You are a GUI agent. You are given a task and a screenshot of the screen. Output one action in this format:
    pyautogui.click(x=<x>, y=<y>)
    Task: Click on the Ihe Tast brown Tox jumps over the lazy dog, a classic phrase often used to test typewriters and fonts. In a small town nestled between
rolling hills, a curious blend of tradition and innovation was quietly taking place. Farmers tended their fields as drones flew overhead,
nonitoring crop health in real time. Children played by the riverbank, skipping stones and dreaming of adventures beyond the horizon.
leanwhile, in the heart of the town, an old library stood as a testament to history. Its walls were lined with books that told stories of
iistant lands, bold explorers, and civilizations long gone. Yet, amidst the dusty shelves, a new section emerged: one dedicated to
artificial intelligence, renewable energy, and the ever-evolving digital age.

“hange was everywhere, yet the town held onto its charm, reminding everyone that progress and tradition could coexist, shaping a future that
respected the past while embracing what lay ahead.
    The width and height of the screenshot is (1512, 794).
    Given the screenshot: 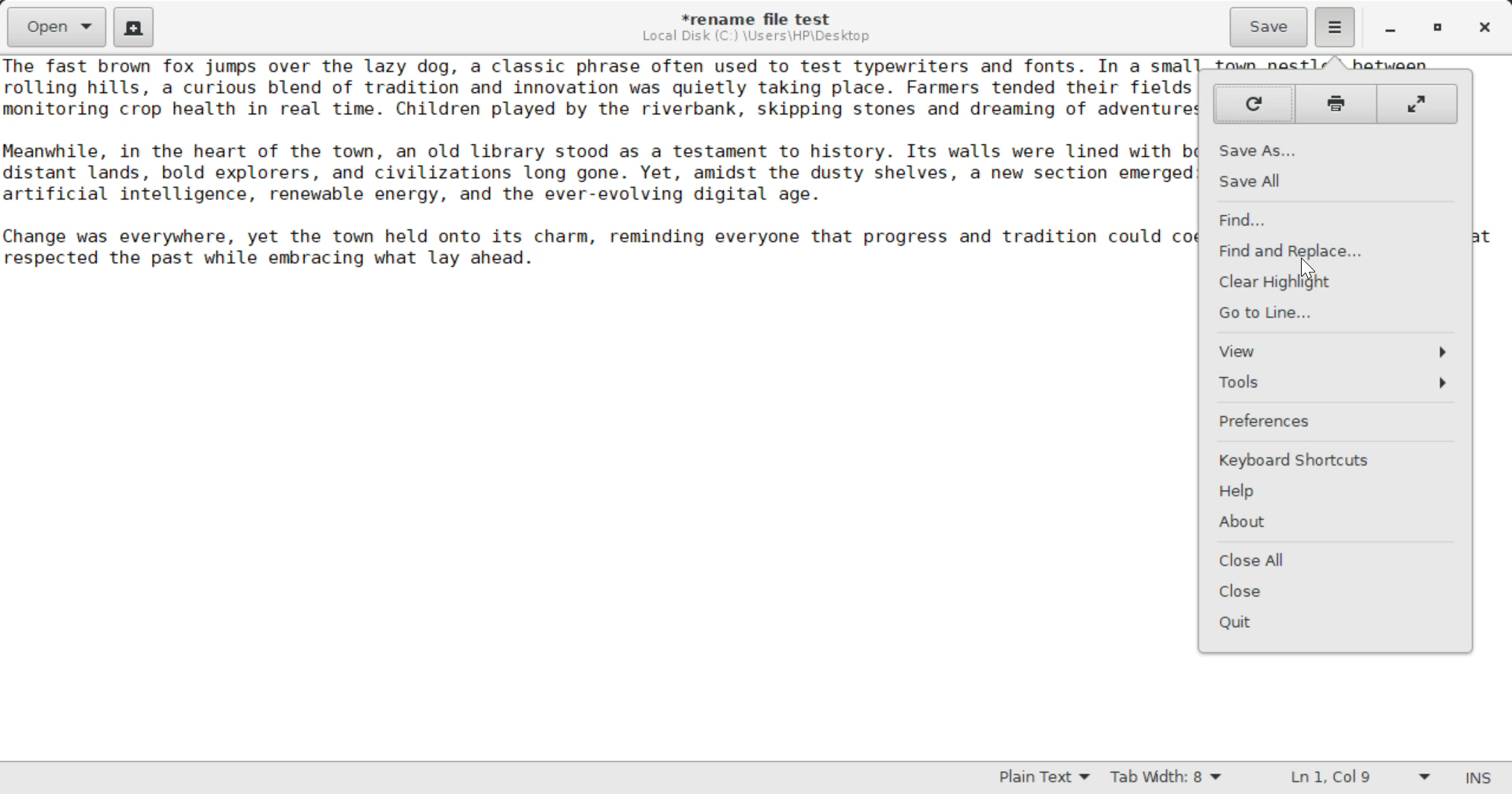 What is the action you would take?
    pyautogui.click(x=597, y=165)
    